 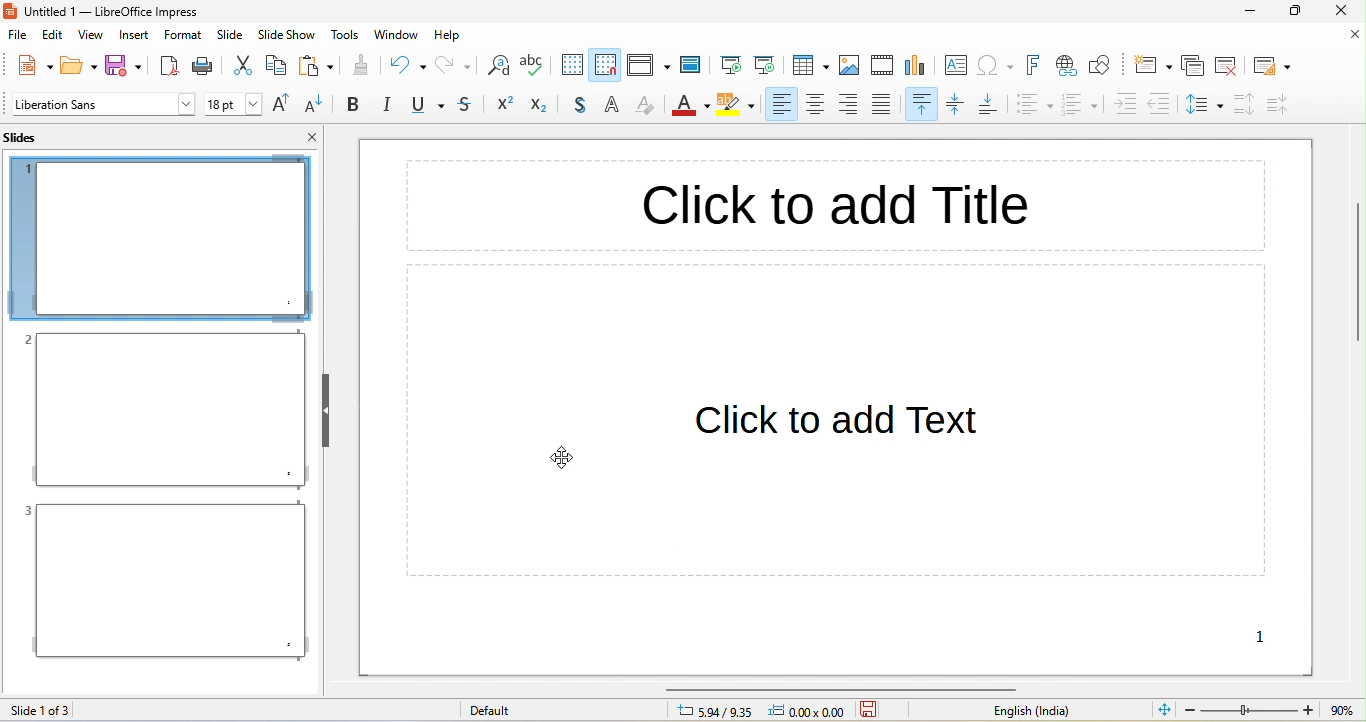 What do you see at coordinates (397, 34) in the screenshot?
I see `window` at bounding box center [397, 34].